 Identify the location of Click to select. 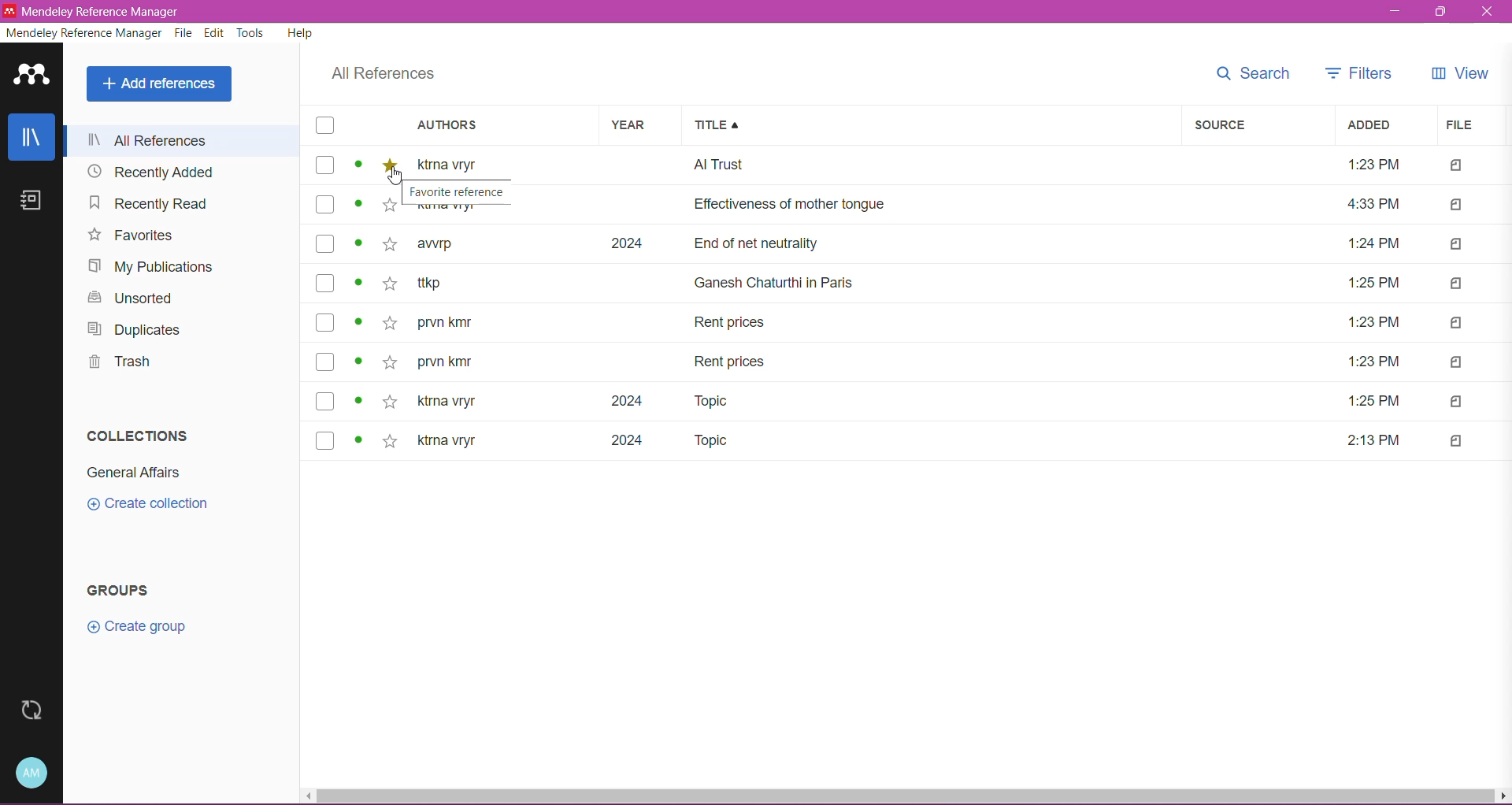
(325, 322).